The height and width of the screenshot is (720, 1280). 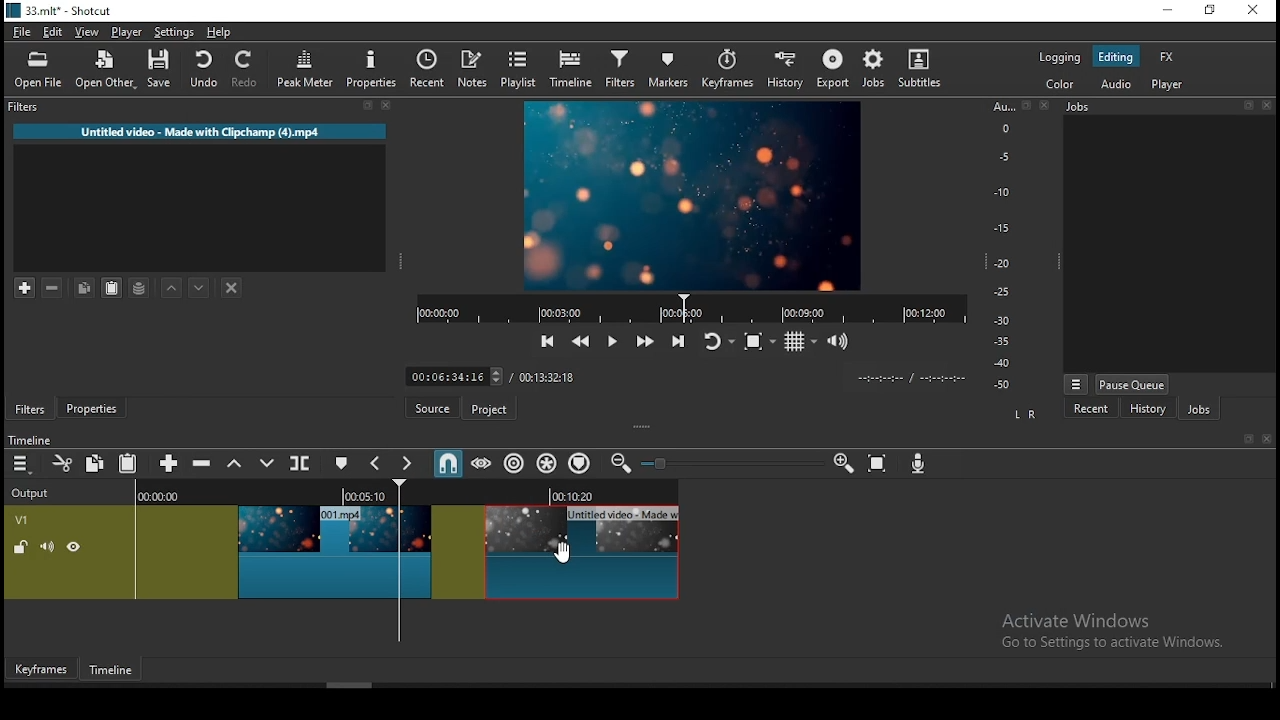 What do you see at coordinates (514, 464) in the screenshot?
I see `ripple` at bounding box center [514, 464].